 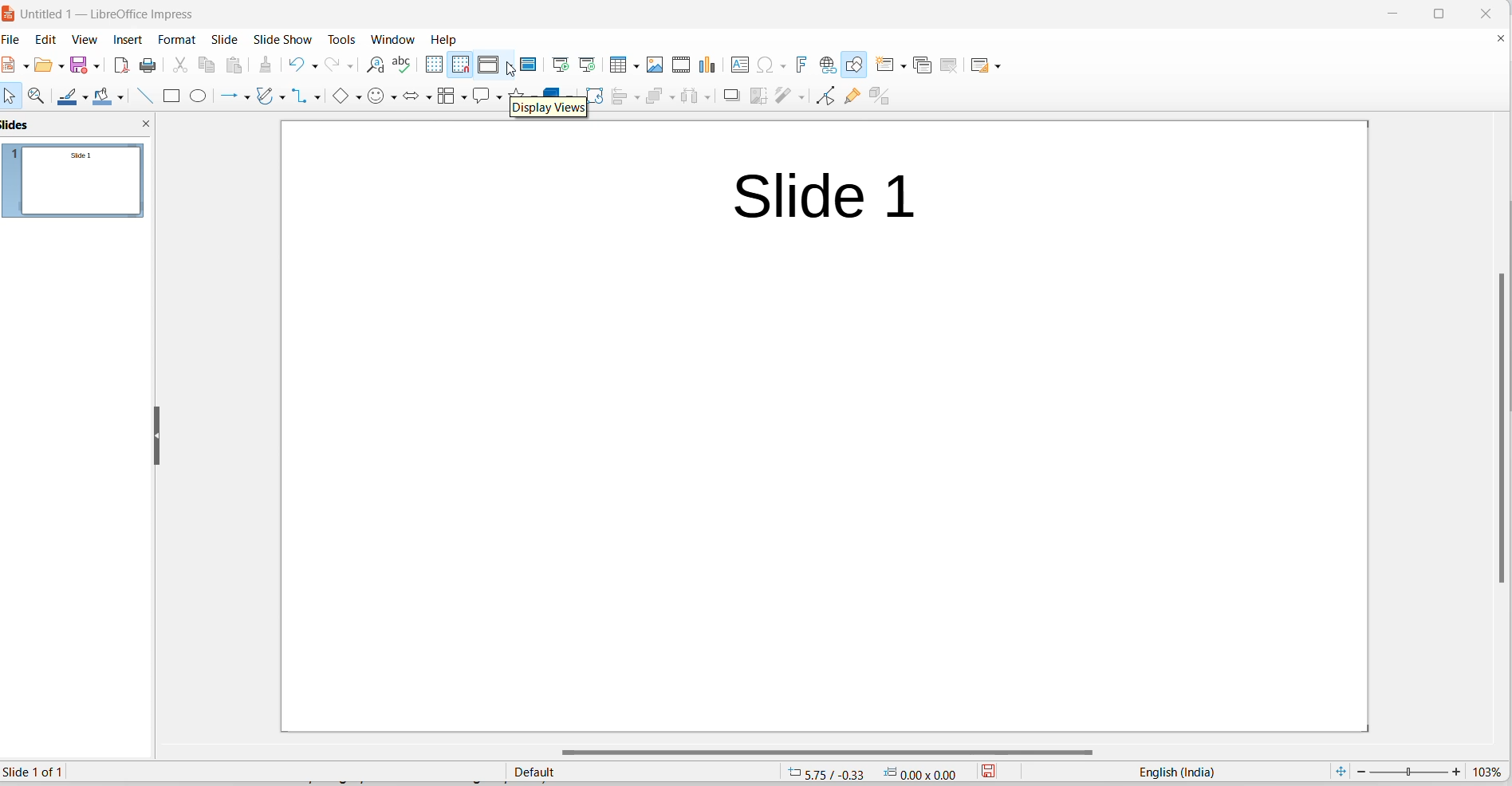 What do you see at coordinates (682, 64) in the screenshot?
I see `insert audio and video` at bounding box center [682, 64].